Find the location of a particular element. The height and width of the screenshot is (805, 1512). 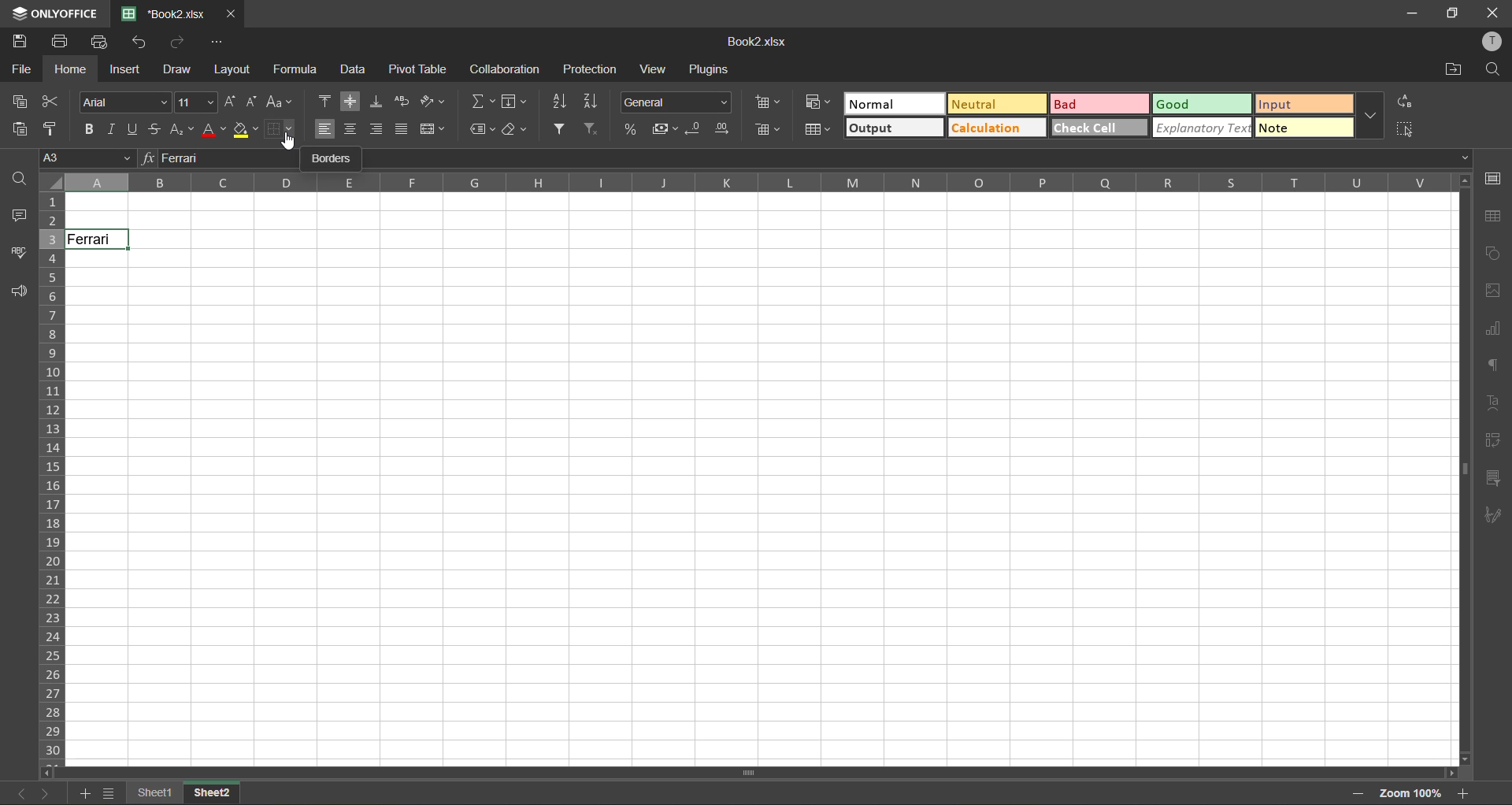

Cursor is located at coordinates (288, 143).